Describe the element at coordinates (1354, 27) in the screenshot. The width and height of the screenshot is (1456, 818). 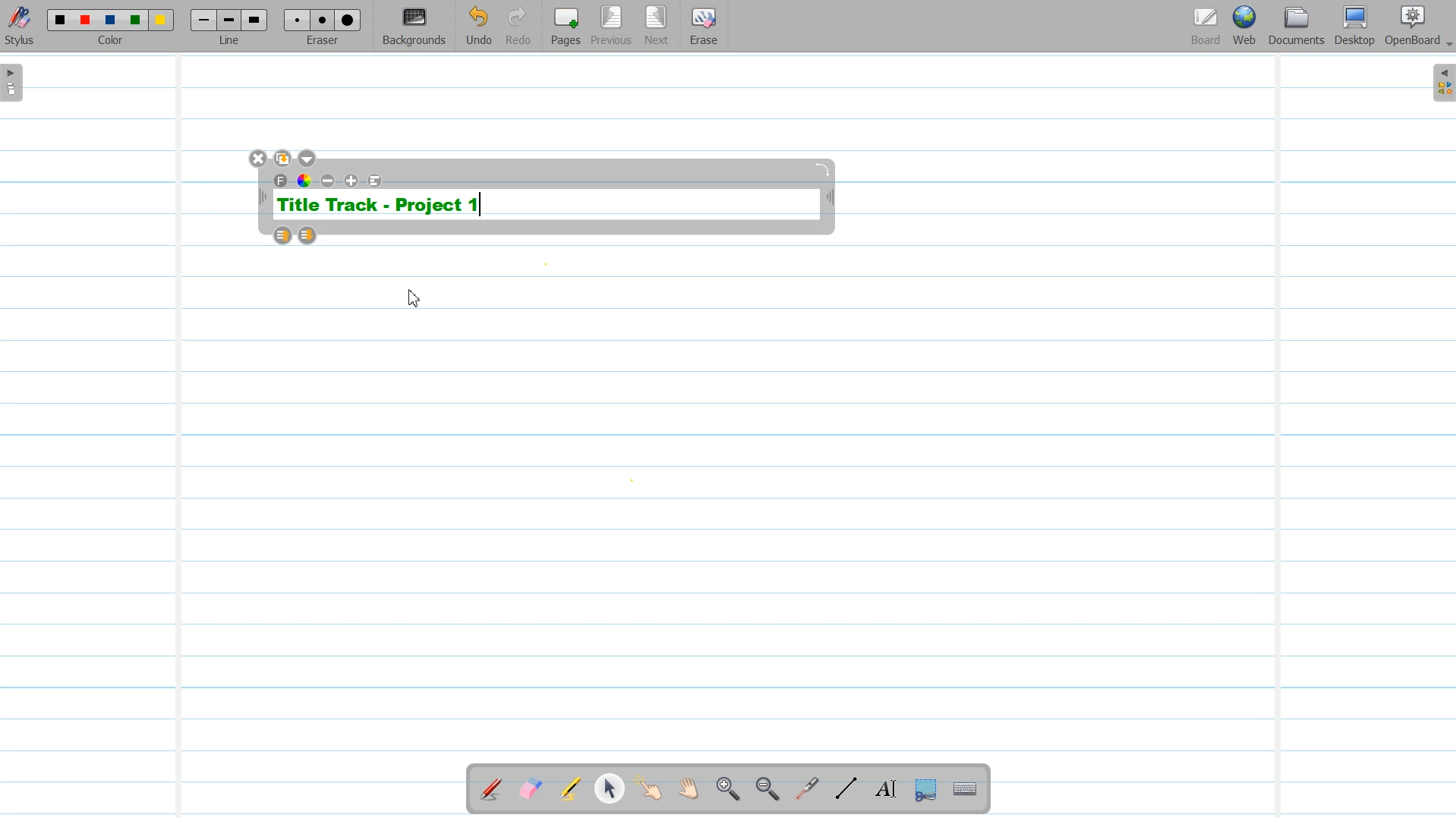
I see `Desktop` at that location.